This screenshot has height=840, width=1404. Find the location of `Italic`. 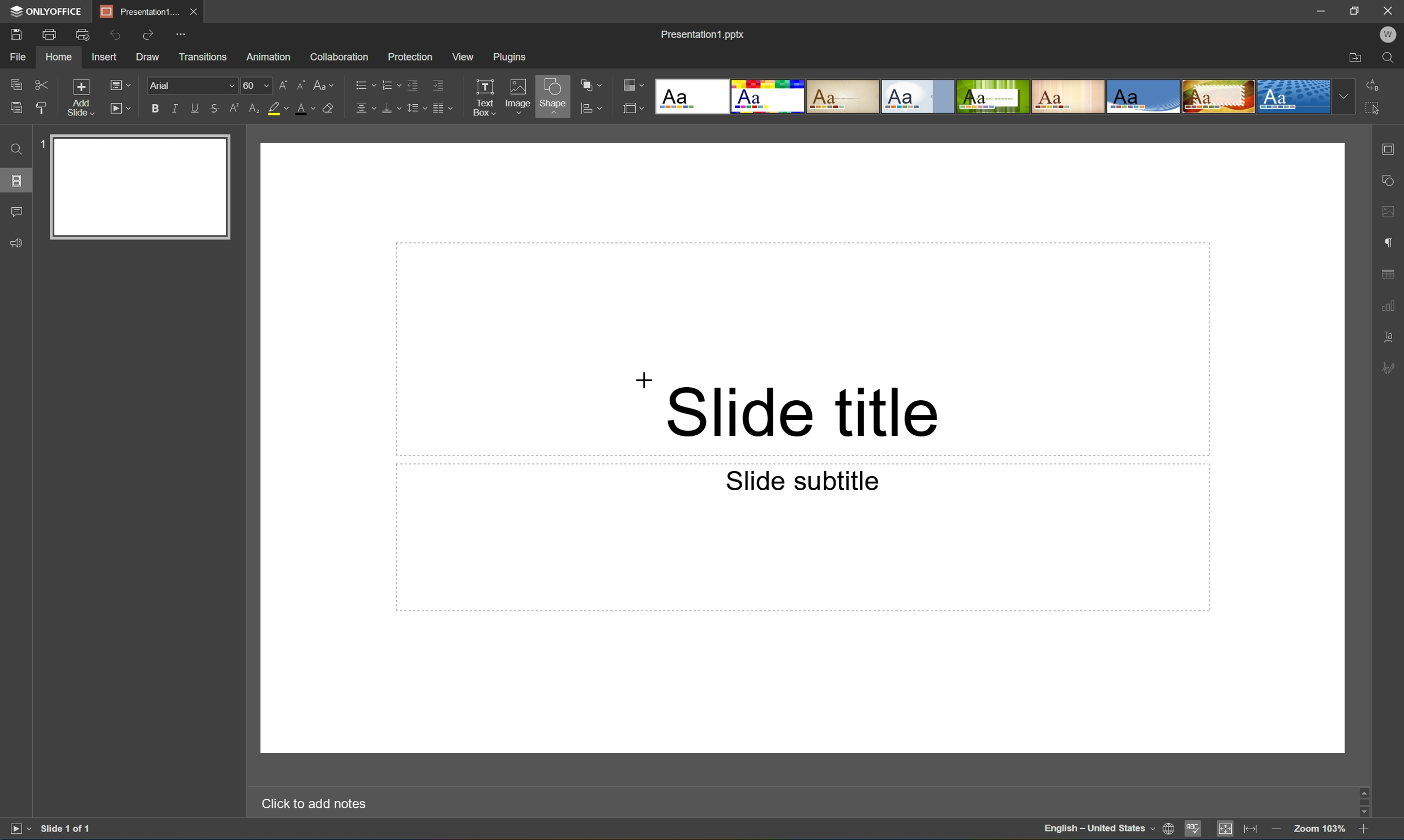

Italic is located at coordinates (173, 107).